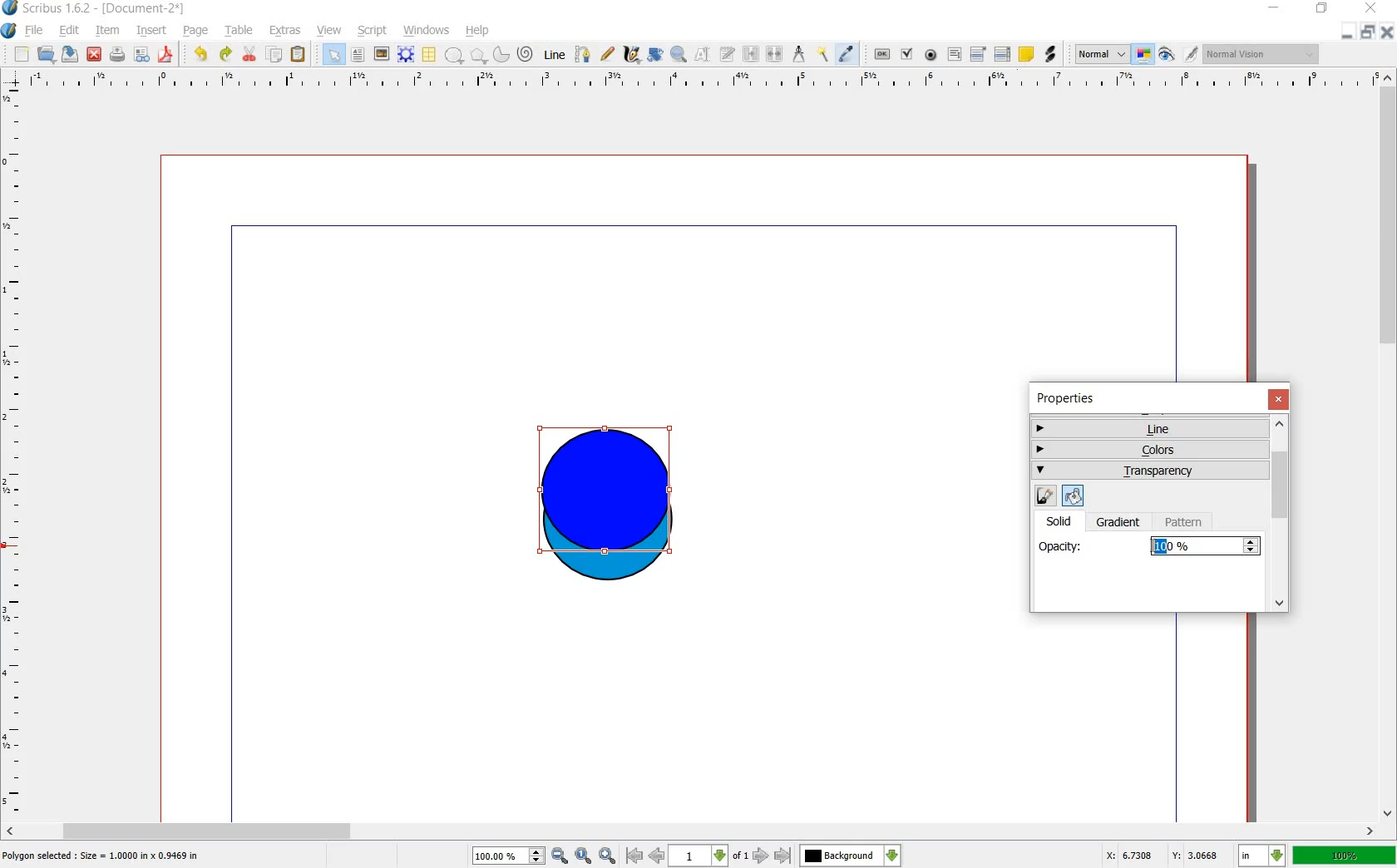 Image resolution: width=1397 pixels, height=868 pixels. Describe the element at coordinates (1251, 547) in the screenshot. I see `Increase or decrease opacity` at that location.